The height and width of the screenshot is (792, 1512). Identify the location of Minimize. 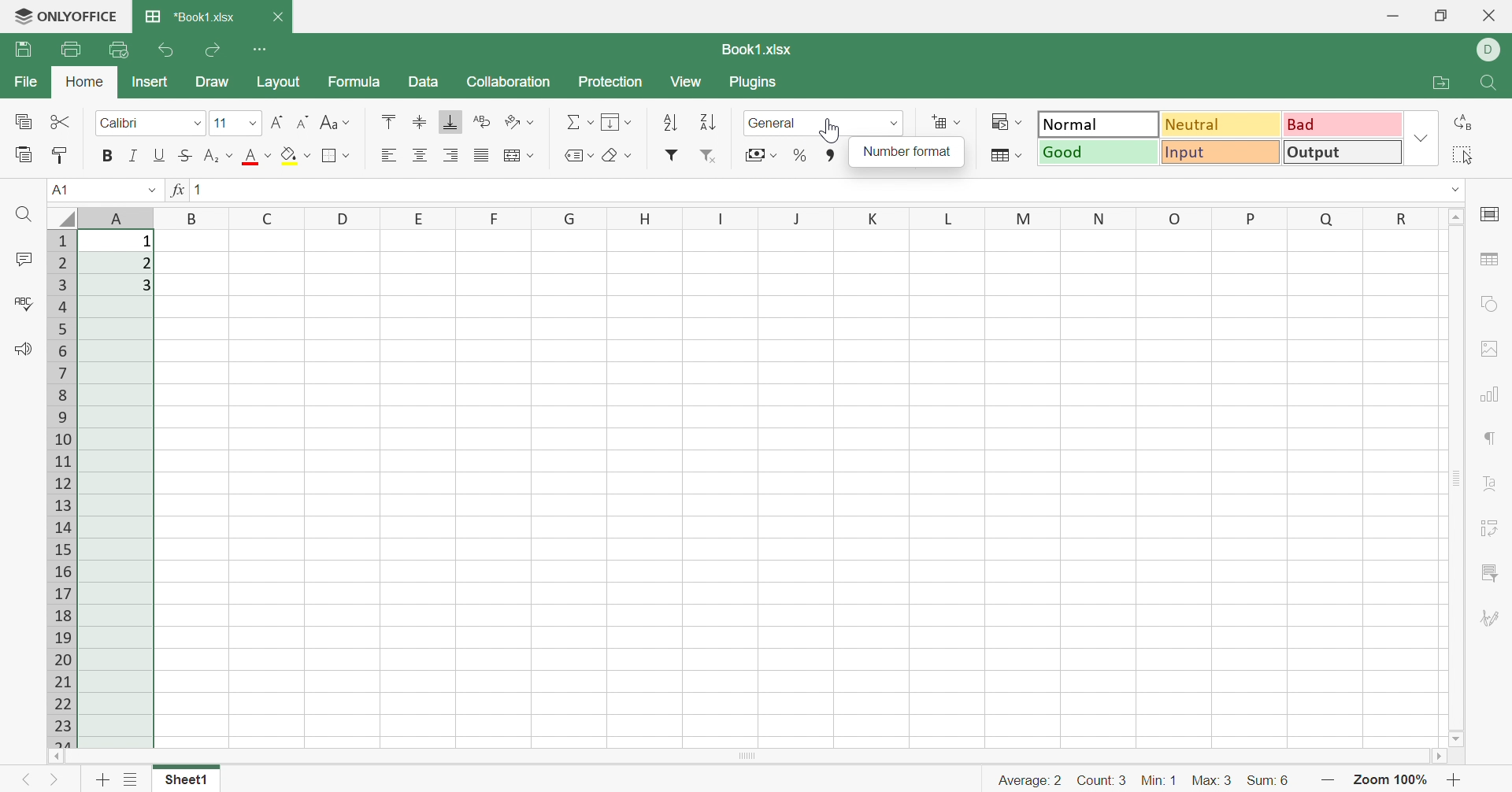
(1394, 19).